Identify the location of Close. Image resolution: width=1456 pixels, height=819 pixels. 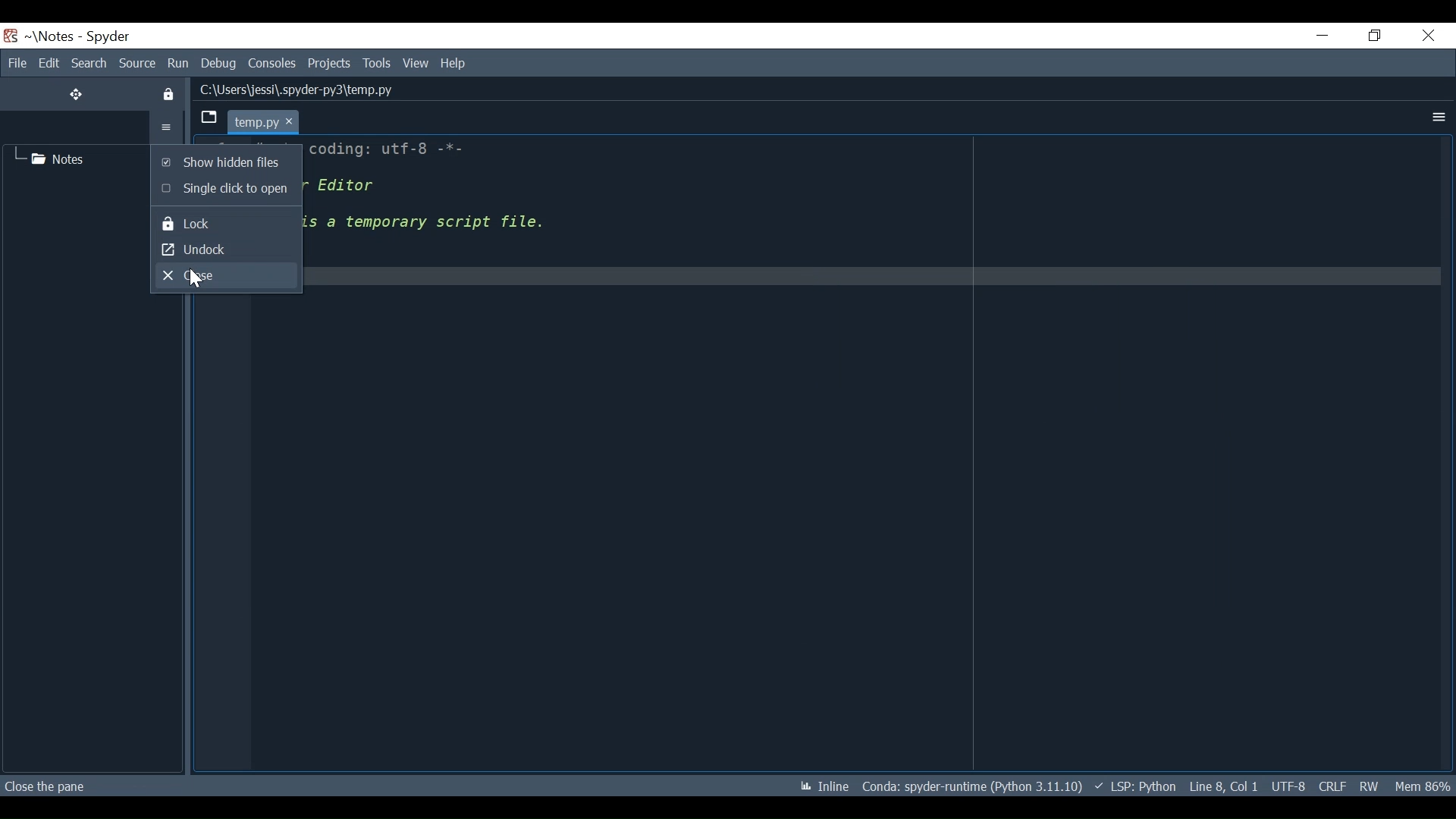
(224, 275).